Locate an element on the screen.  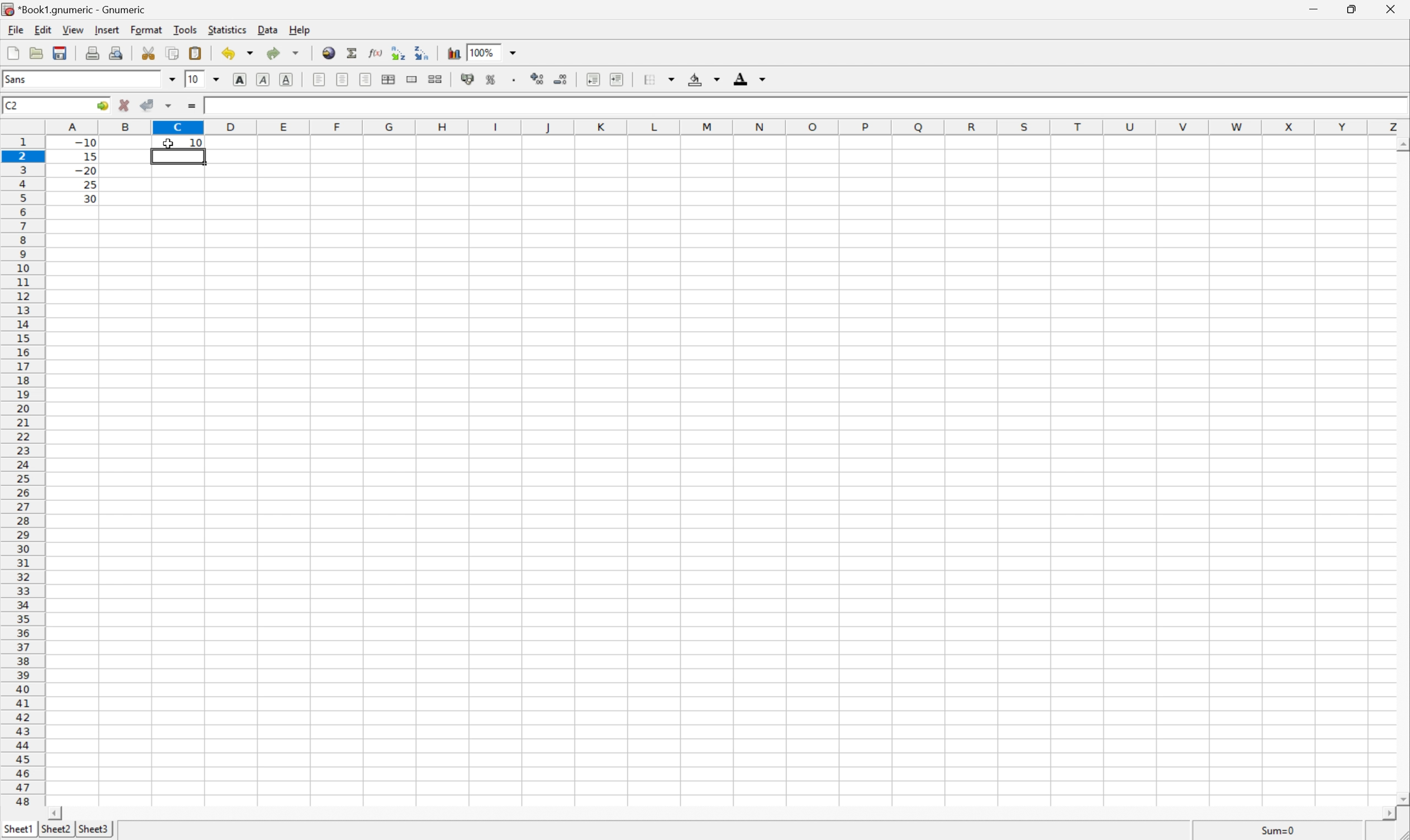
Row numbers is located at coordinates (23, 474).